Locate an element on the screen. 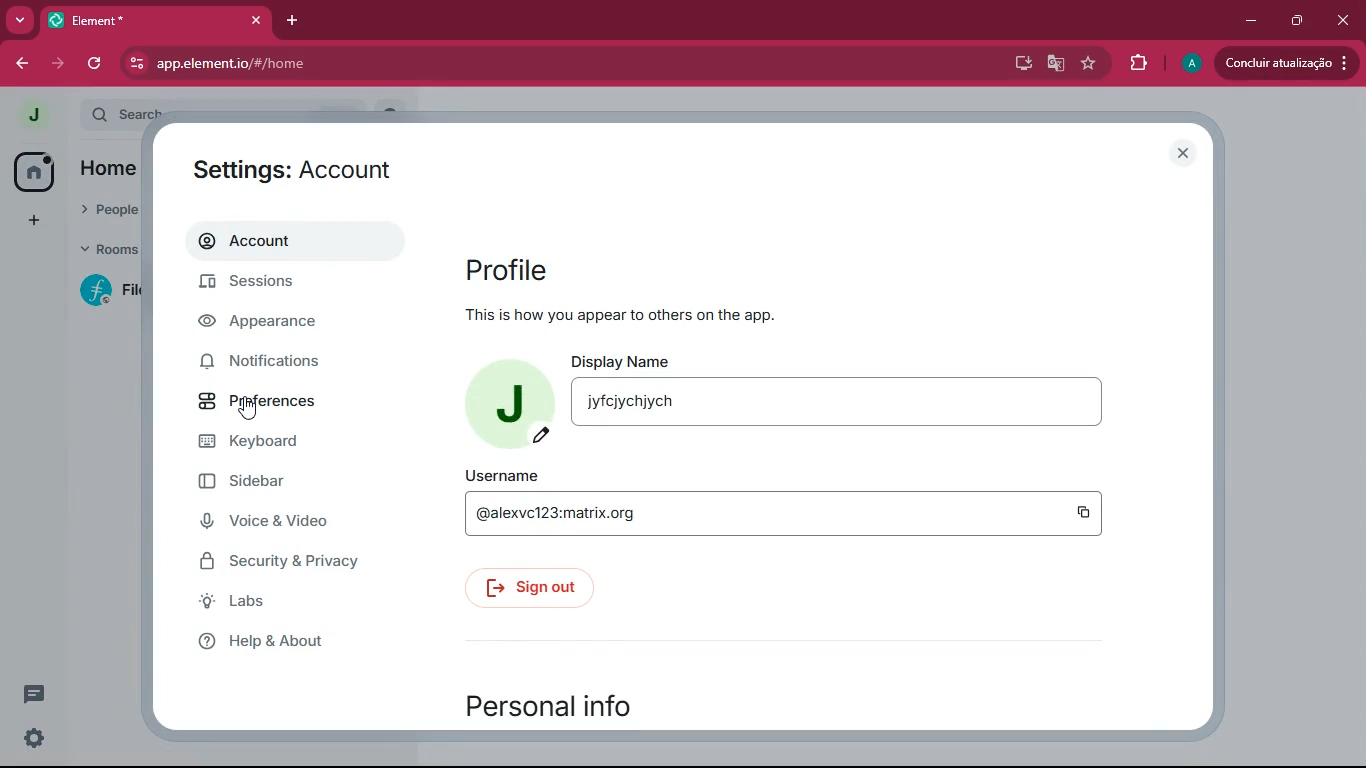  preferences is located at coordinates (266, 399).